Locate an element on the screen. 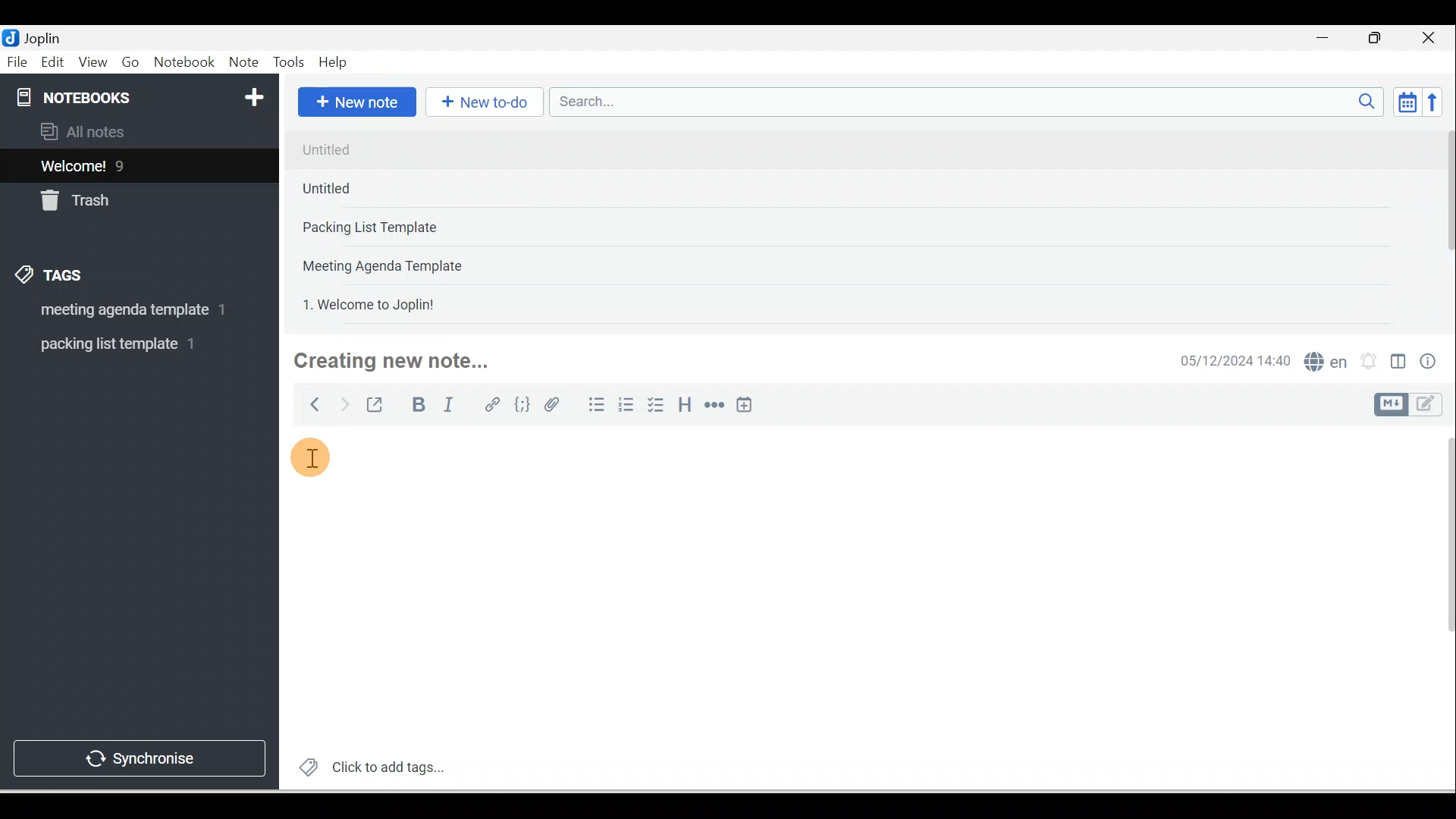 This screenshot has width=1456, height=819. Tag 2 is located at coordinates (128, 344).